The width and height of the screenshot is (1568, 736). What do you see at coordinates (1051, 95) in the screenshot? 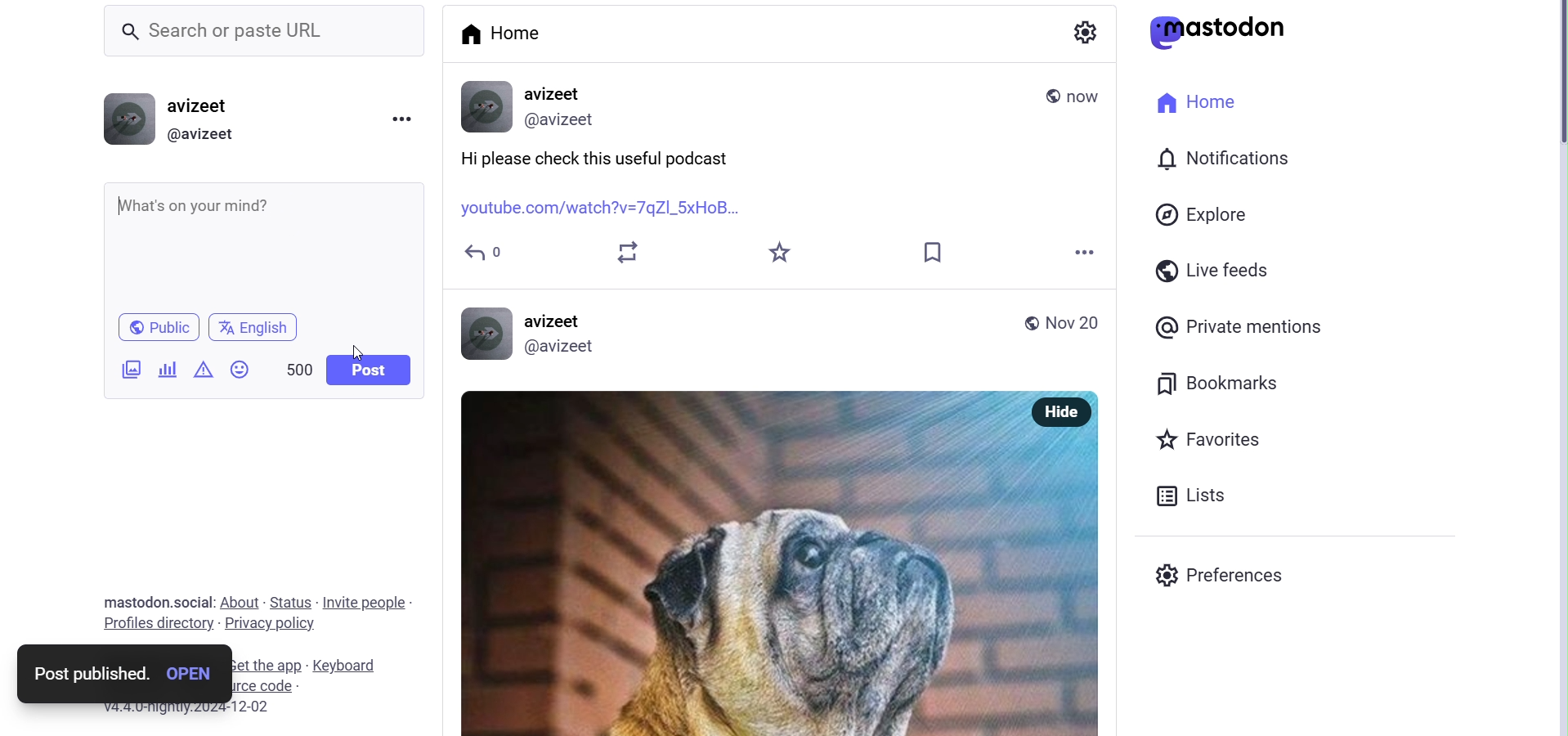
I see `public post` at bounding box center [1051, 95].